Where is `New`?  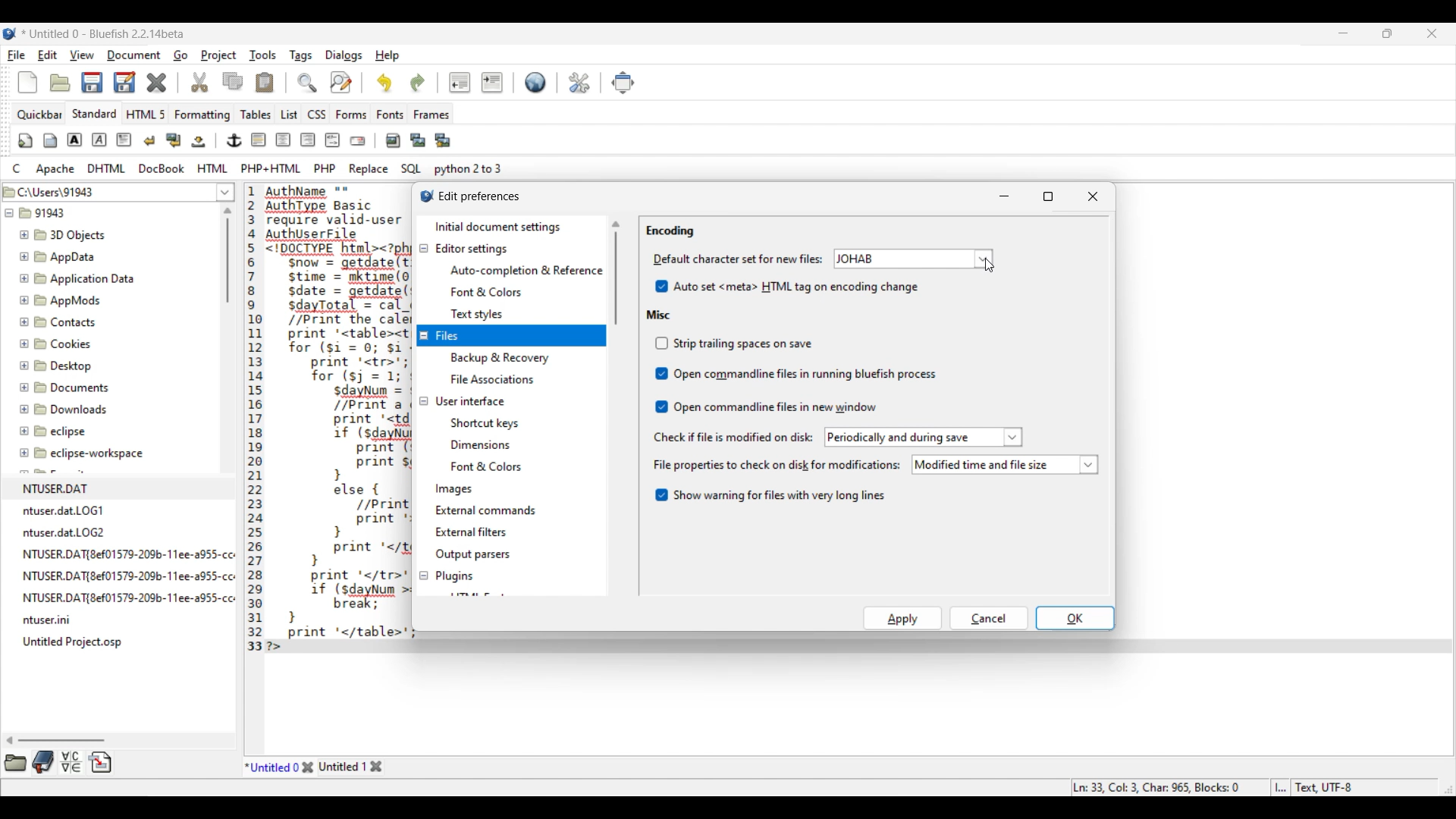
New is located at coordinates (27, 82).